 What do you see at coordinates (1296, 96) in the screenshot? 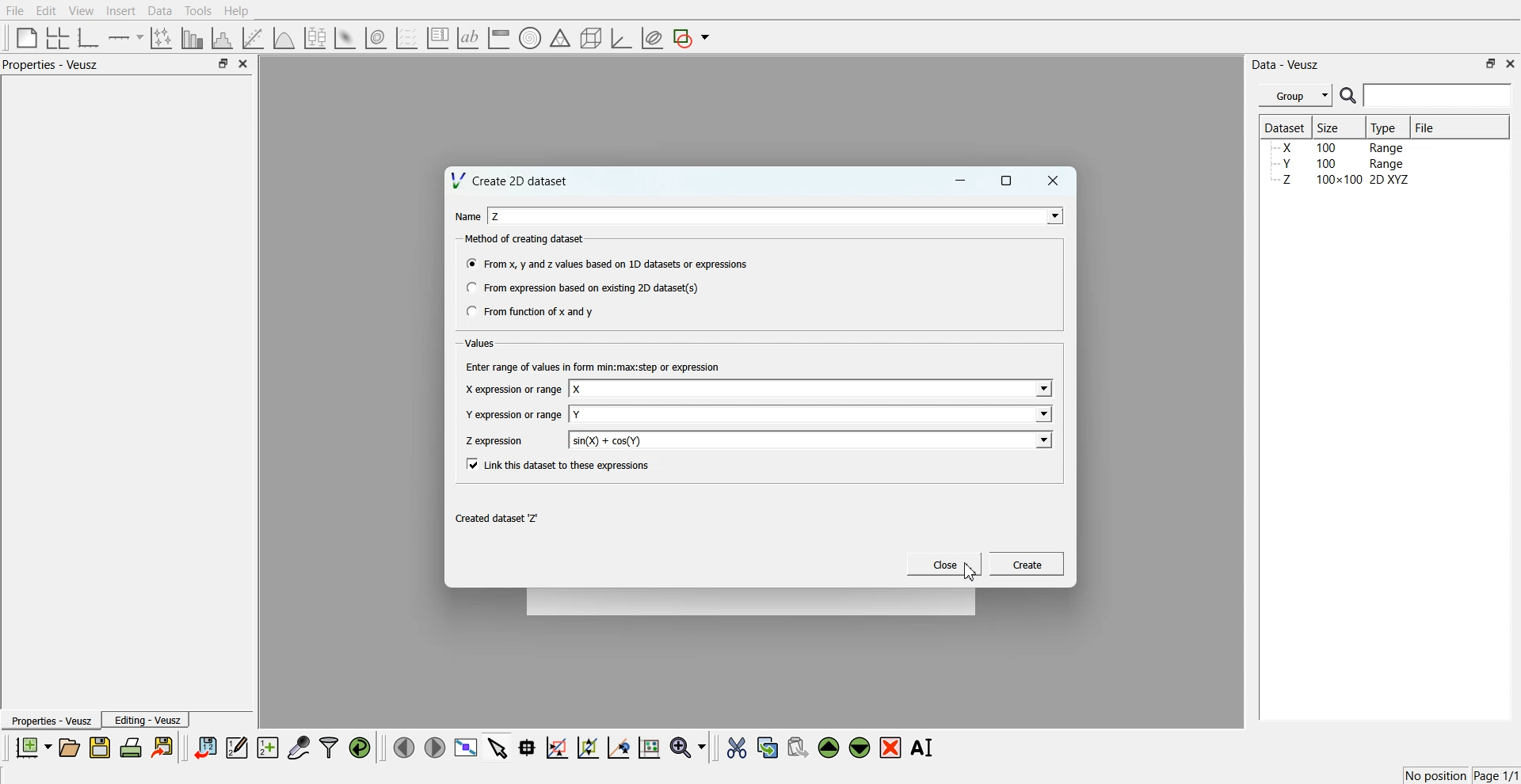
I see `Group` at bounding box center [1296, 96].